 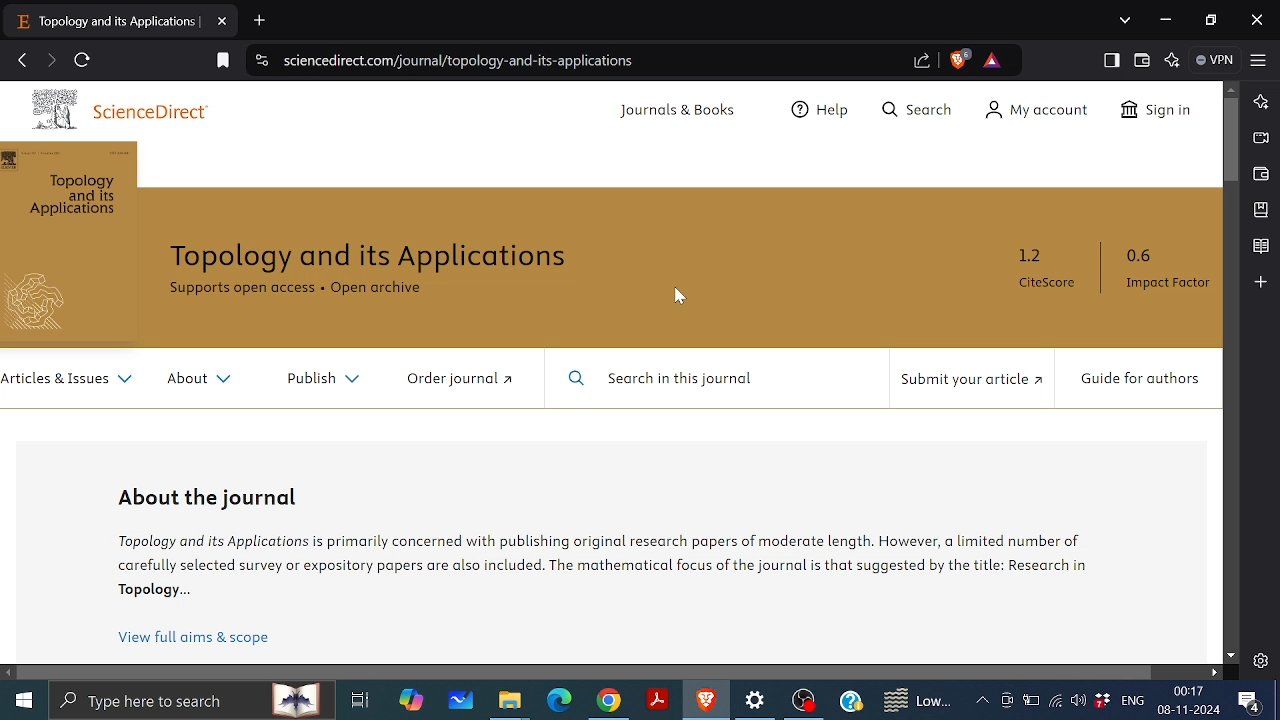 What do you see at coordinates (1260, 661) in the screenshot?
I see `Settings` at bounding box center [1260, 661].